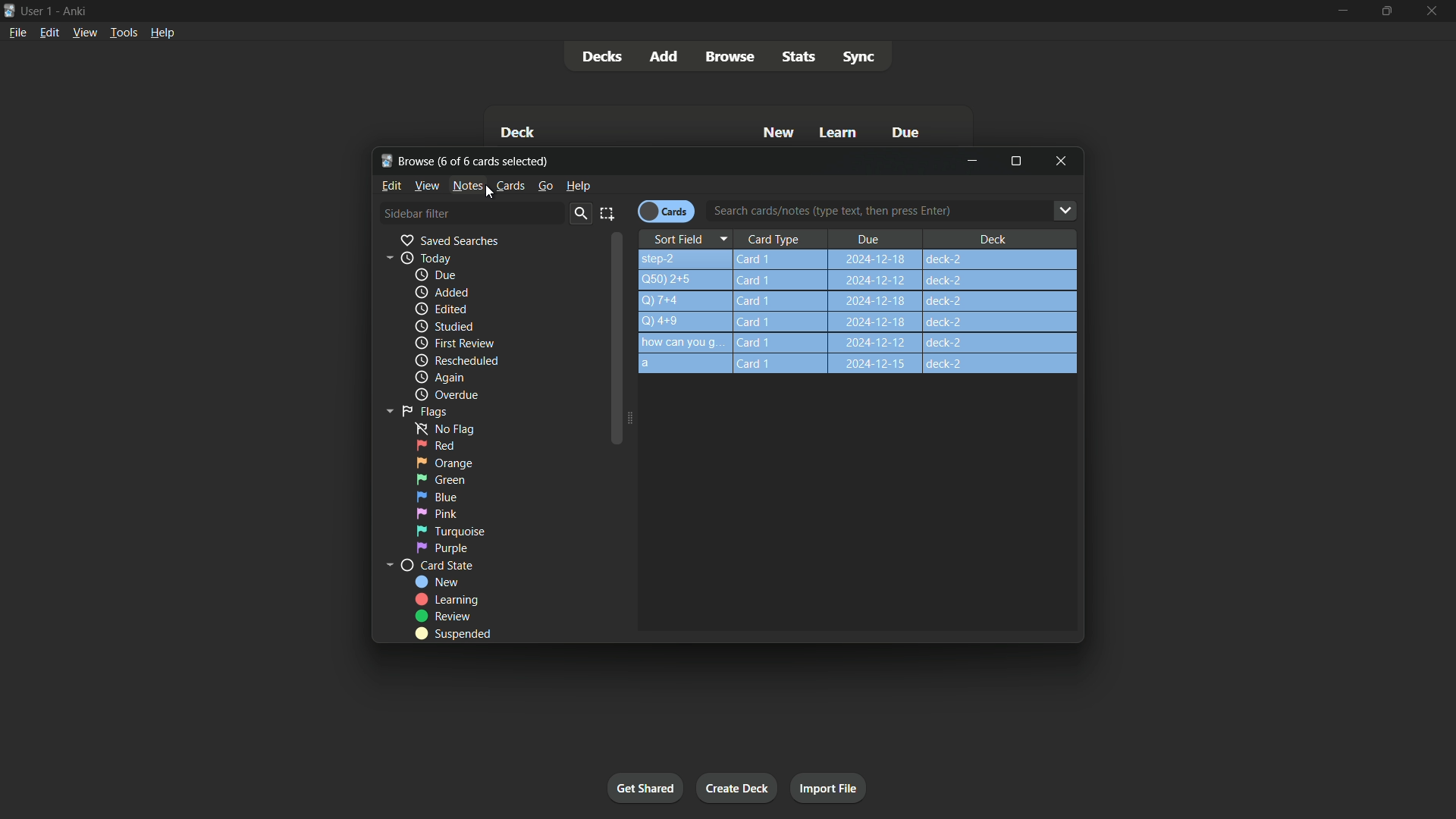  What do you see at coordinates (689, 237) in the screenshot?
I see `Sort Field` at bounding box center [689, 237].